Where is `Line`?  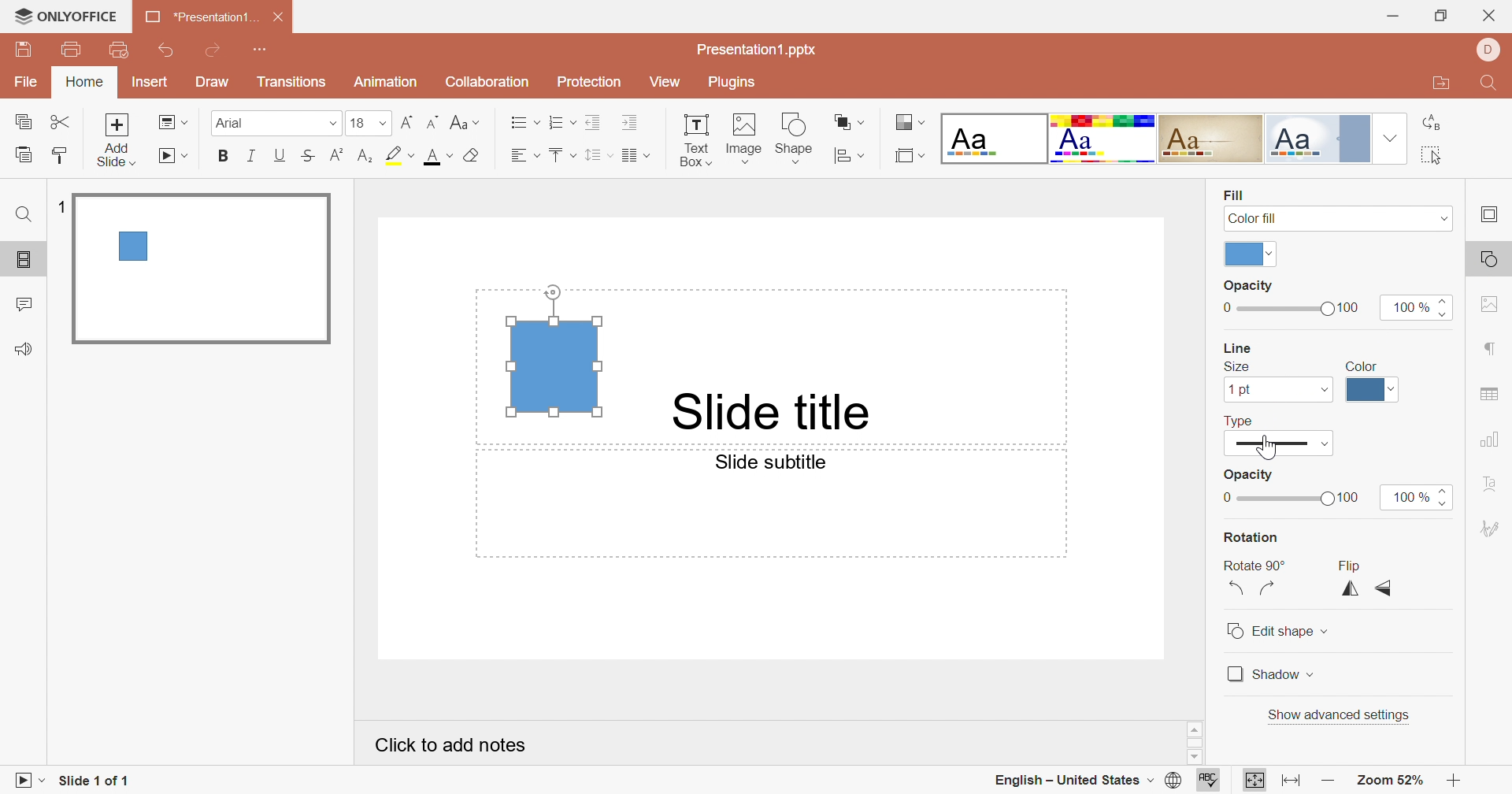 Line is located at coordinates (1234, 347).